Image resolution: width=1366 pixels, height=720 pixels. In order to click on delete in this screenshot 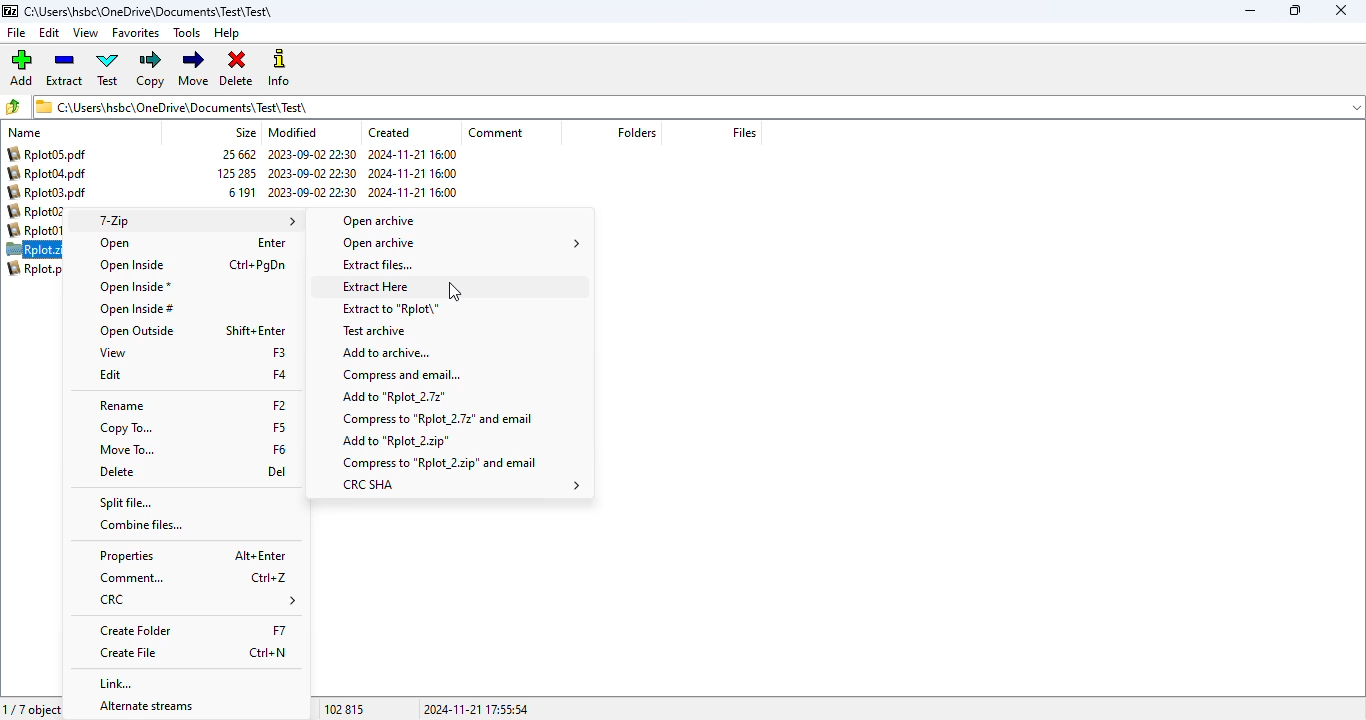, I will do `click(116, 471)`.